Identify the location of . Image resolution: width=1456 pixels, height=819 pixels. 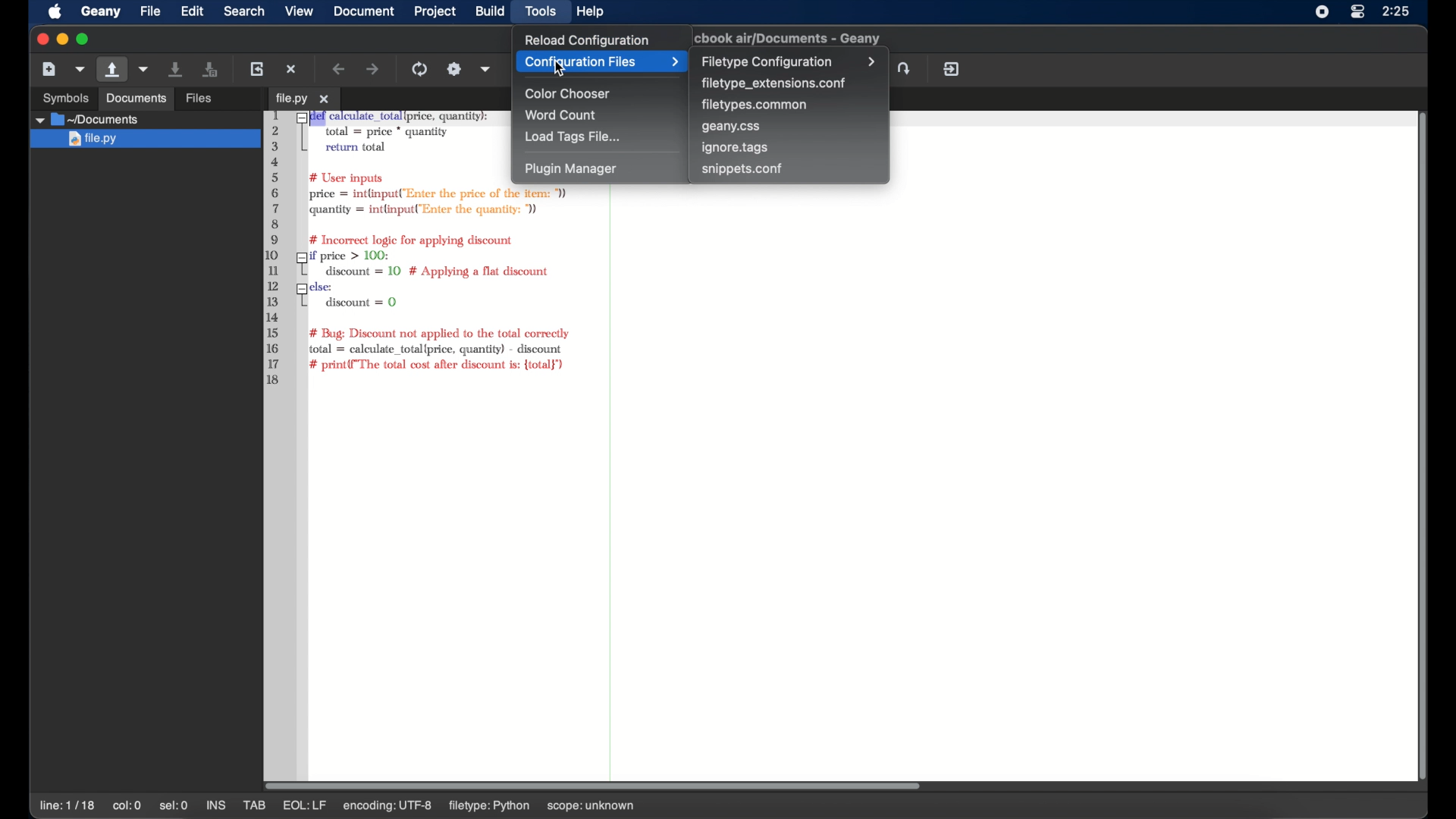
(59, 96).